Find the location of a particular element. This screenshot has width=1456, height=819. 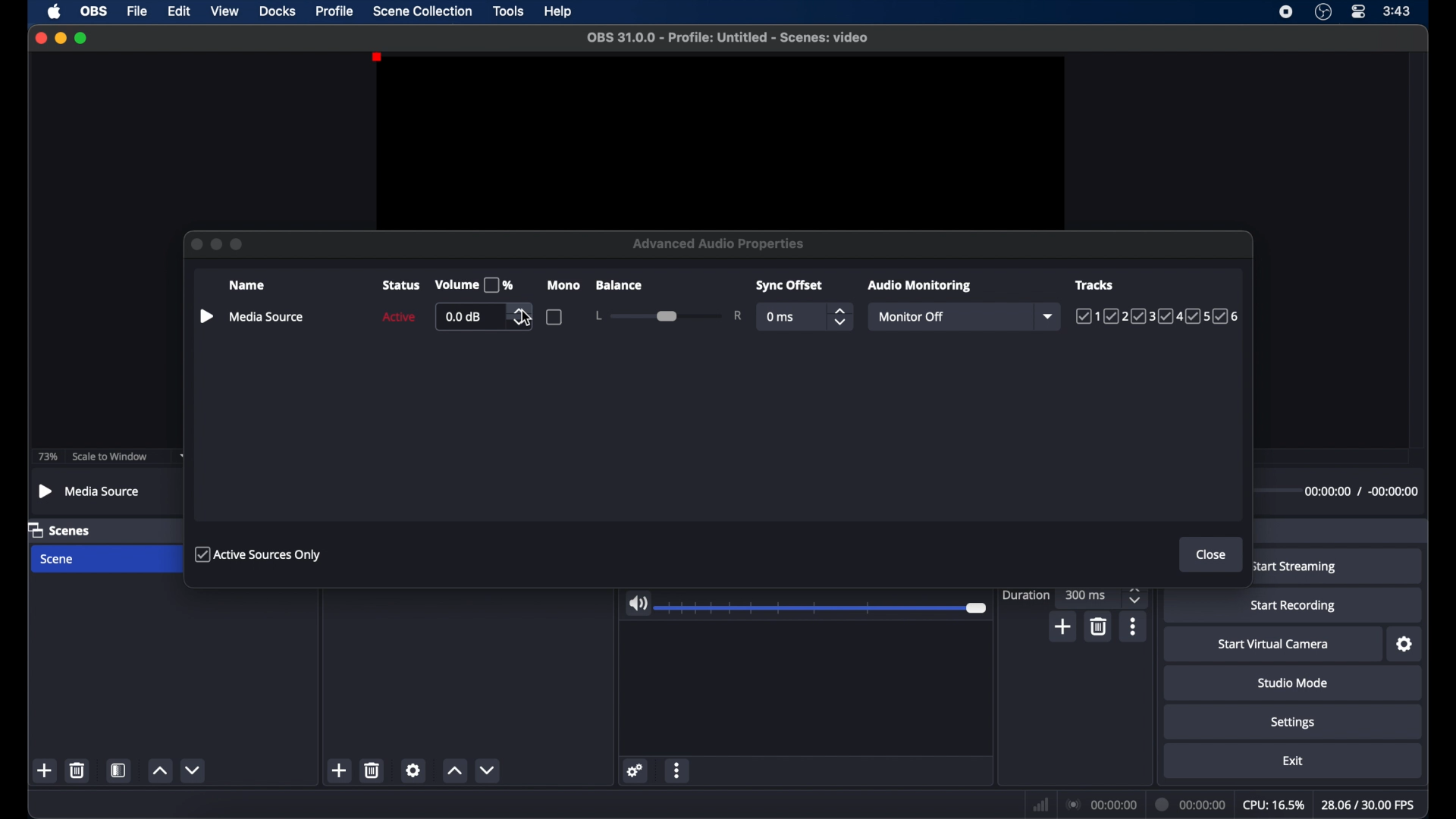

sync offset is located at coordinates (788, 285).